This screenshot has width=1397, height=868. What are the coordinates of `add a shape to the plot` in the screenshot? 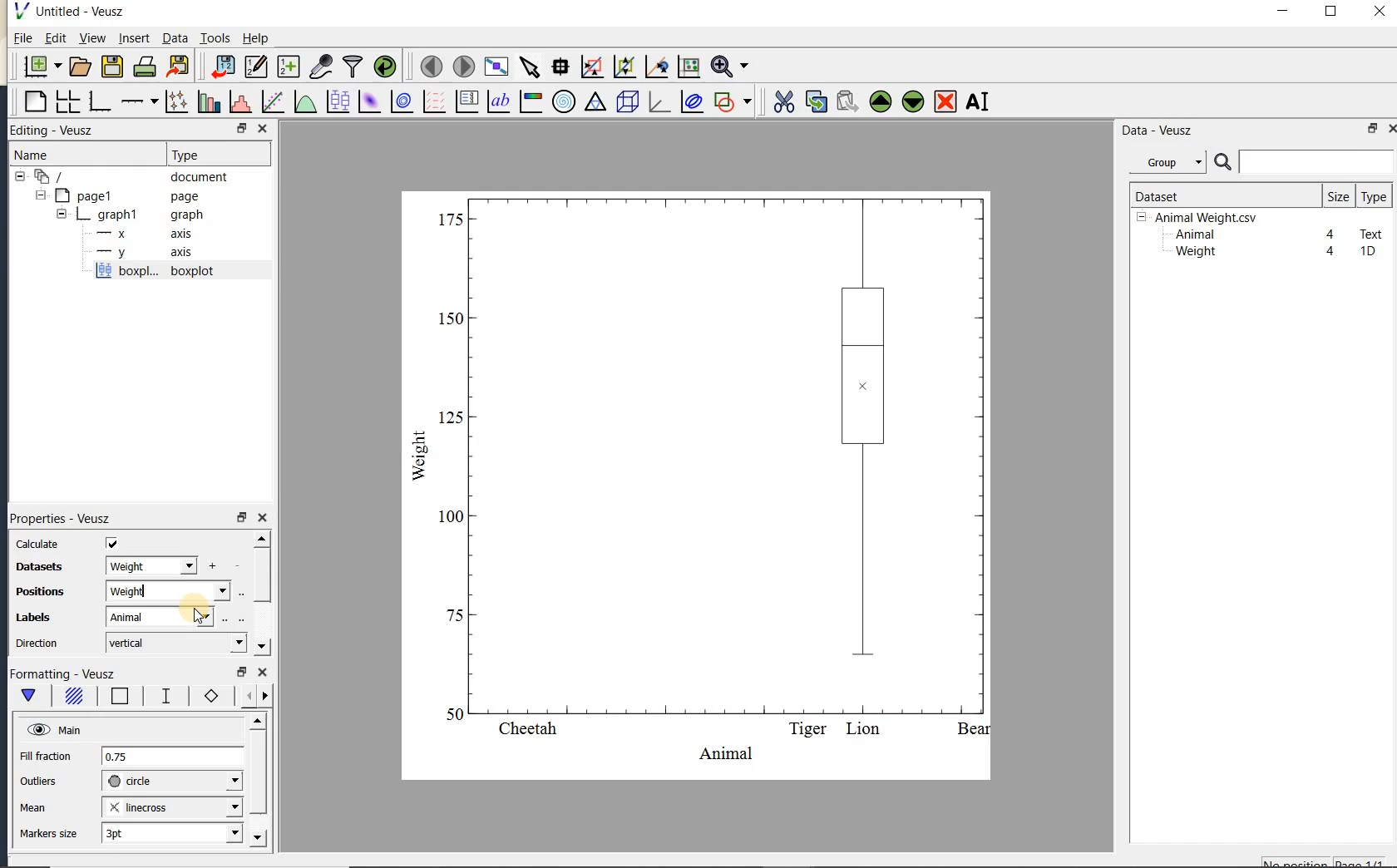 It's located at (732, 101).